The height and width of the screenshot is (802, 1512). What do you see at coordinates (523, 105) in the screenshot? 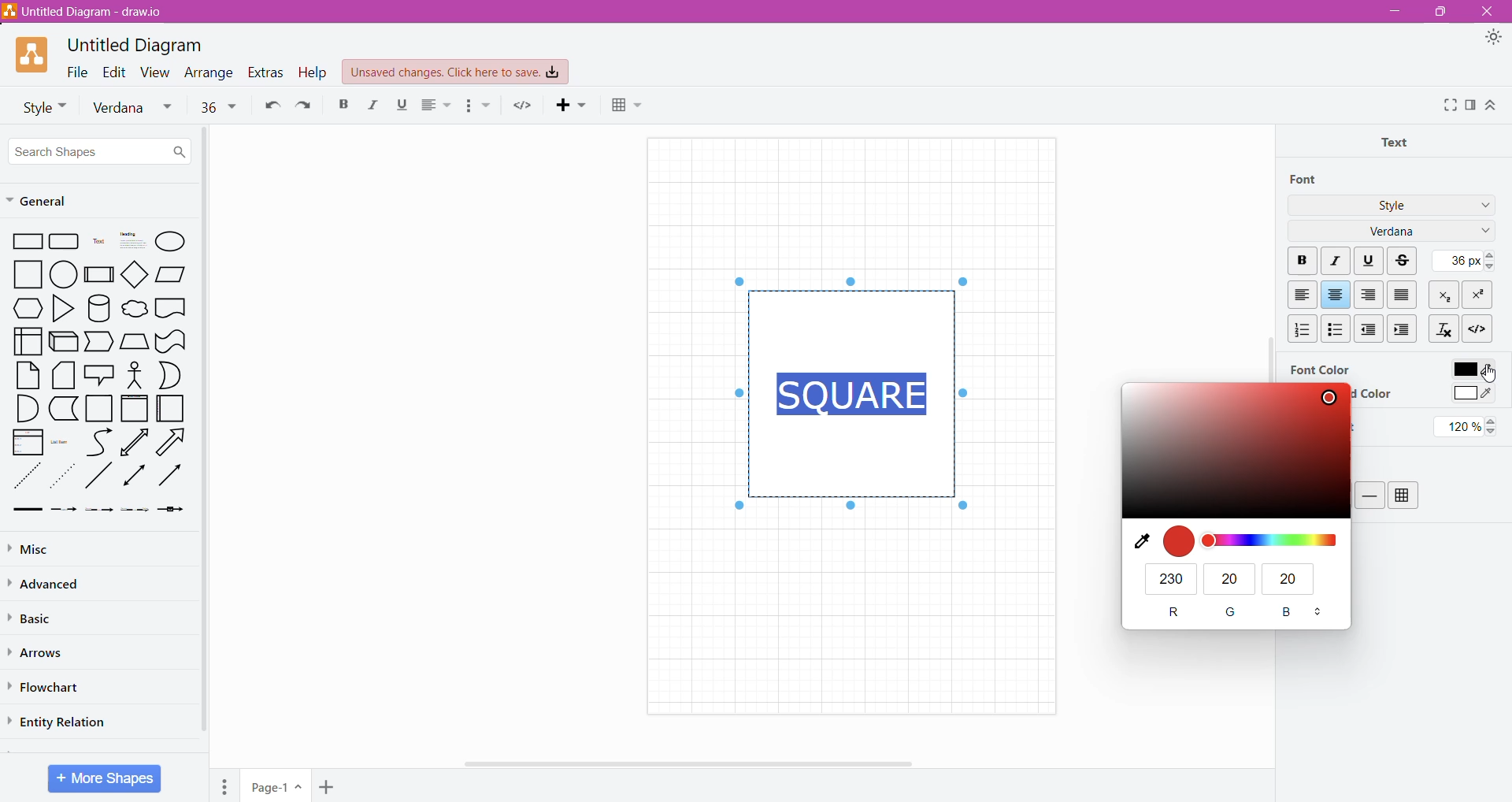
I see `HTML` at bounding box center [523, 105].